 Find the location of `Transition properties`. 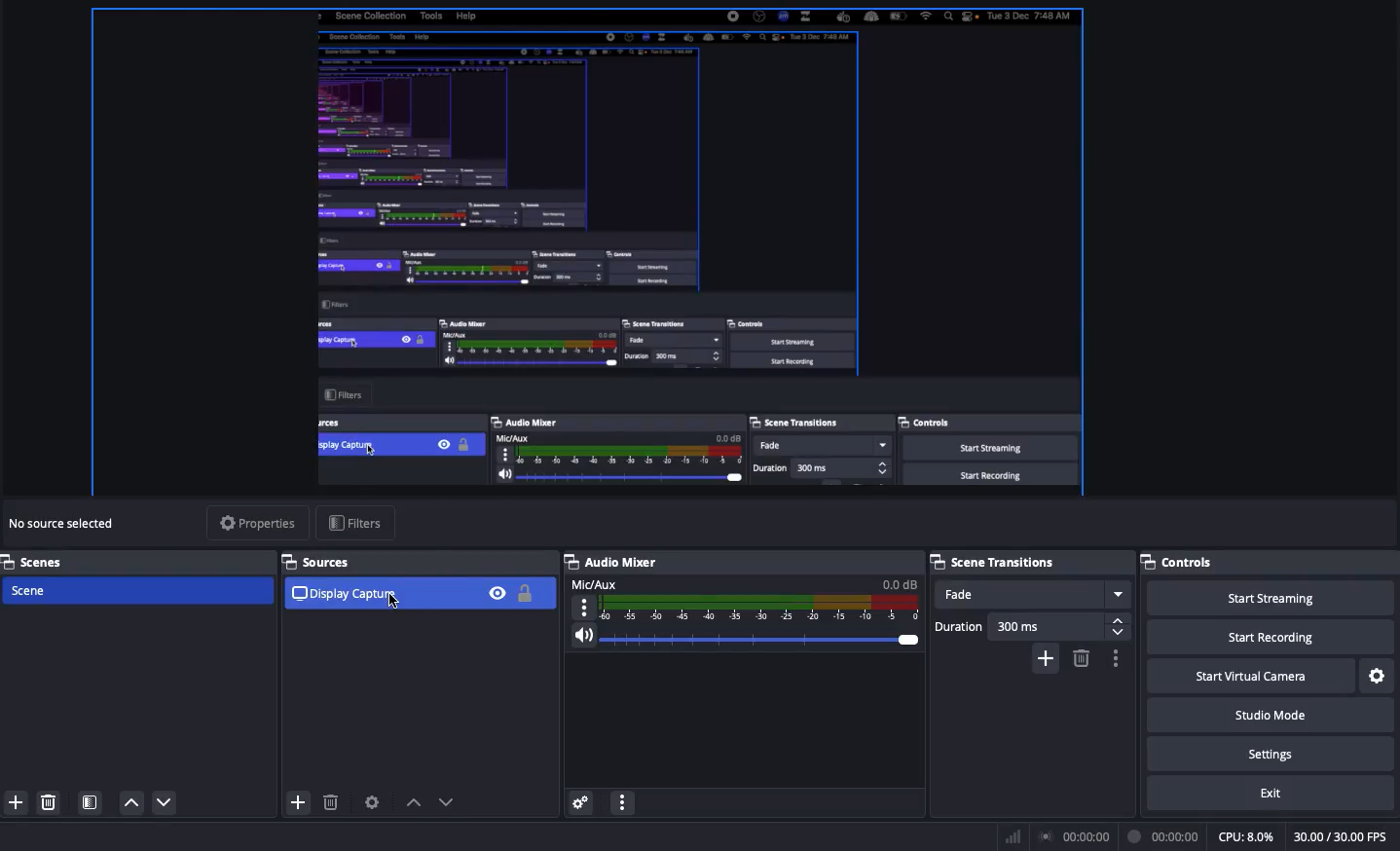

Transition properties is located at coordinates (1115, 658).